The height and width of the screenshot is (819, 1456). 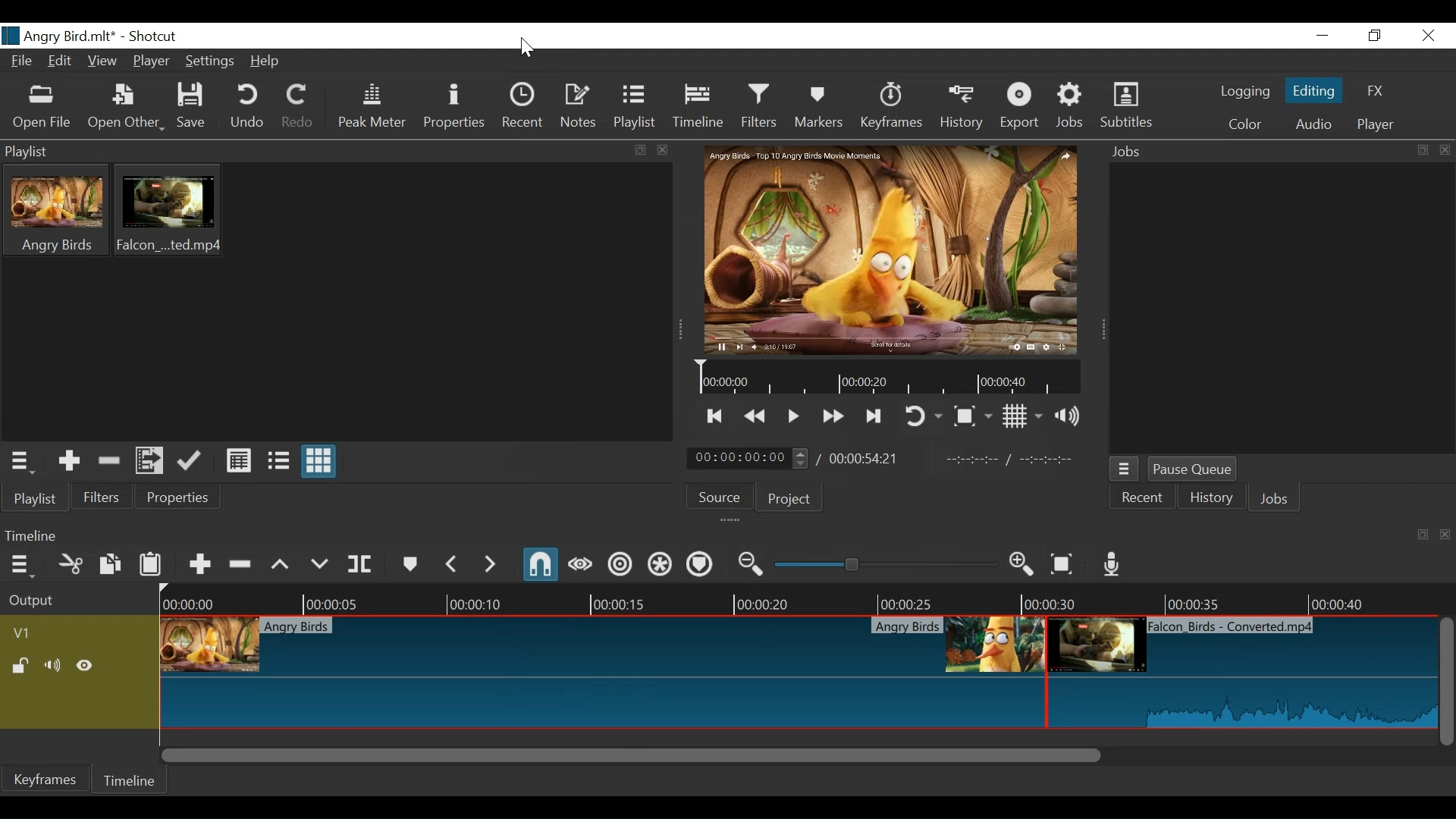 What do you see at coordinates (1127, 105) in the screenshot?
I see `Subtitles` at bounding box center [1127, 105].